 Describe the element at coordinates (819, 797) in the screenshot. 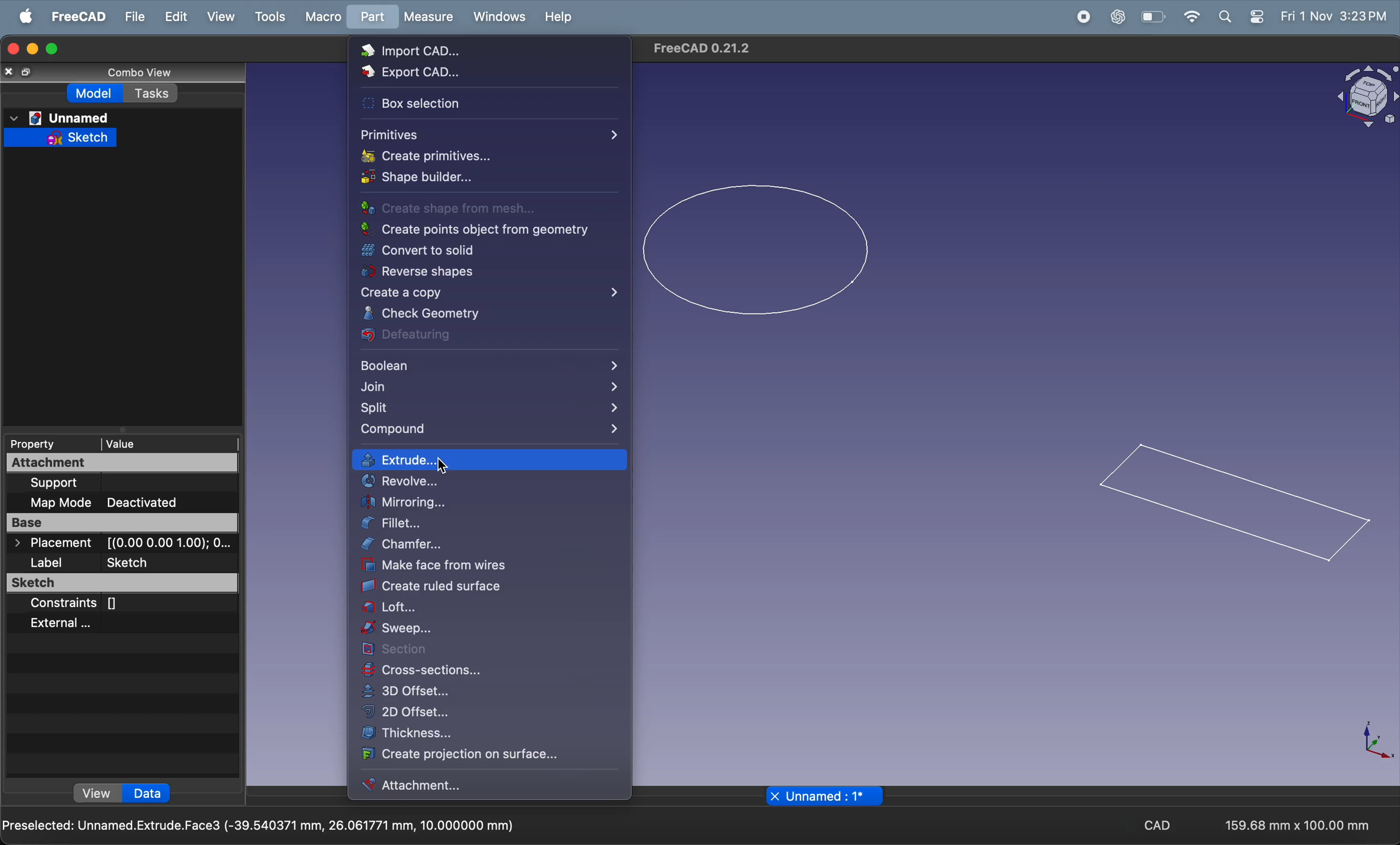

I see `file name` at that location.